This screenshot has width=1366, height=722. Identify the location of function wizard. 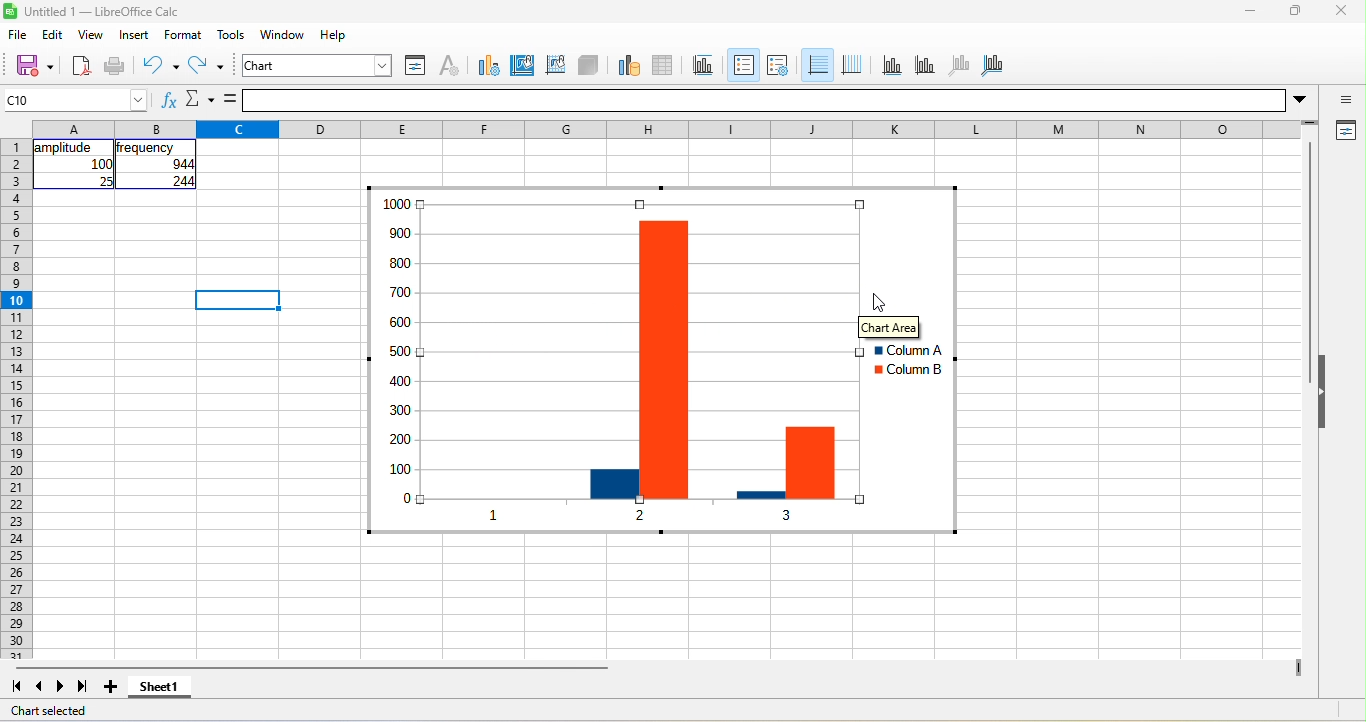
(167, 103).